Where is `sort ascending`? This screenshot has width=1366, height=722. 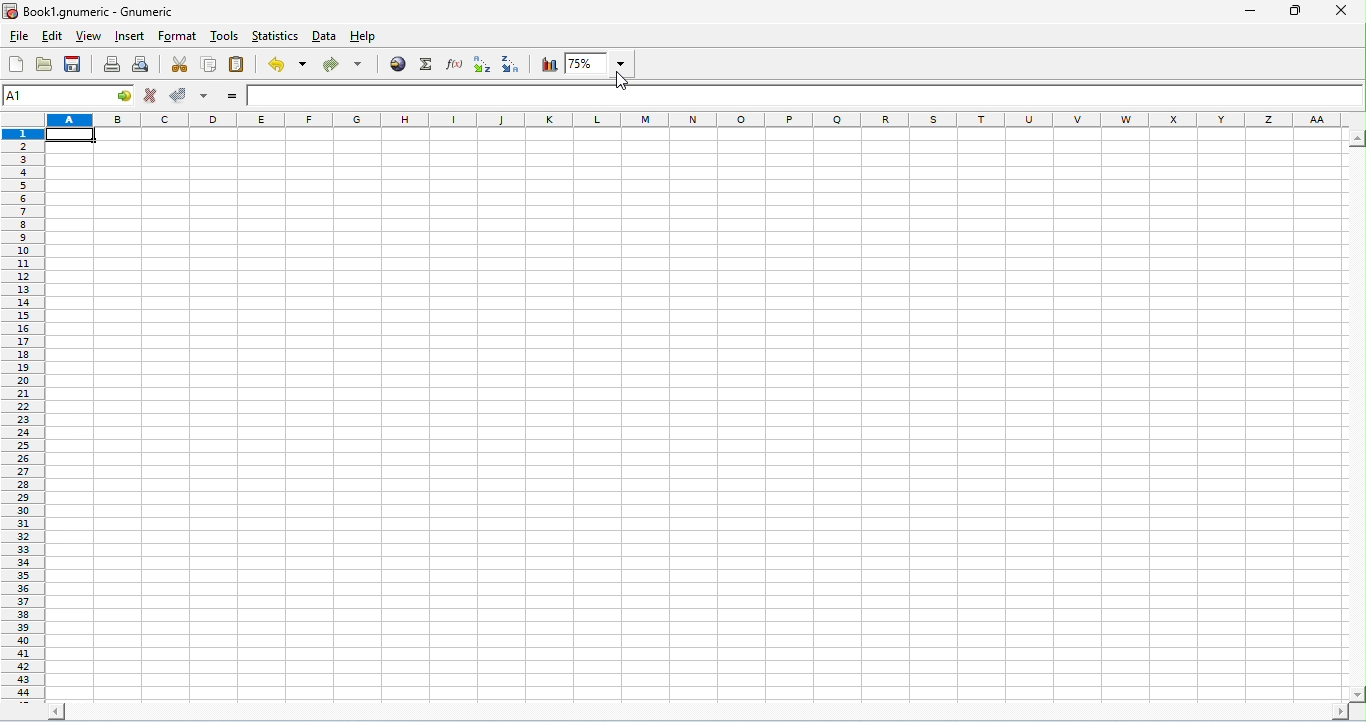
sort ascending is located at coordinates (484, 65).